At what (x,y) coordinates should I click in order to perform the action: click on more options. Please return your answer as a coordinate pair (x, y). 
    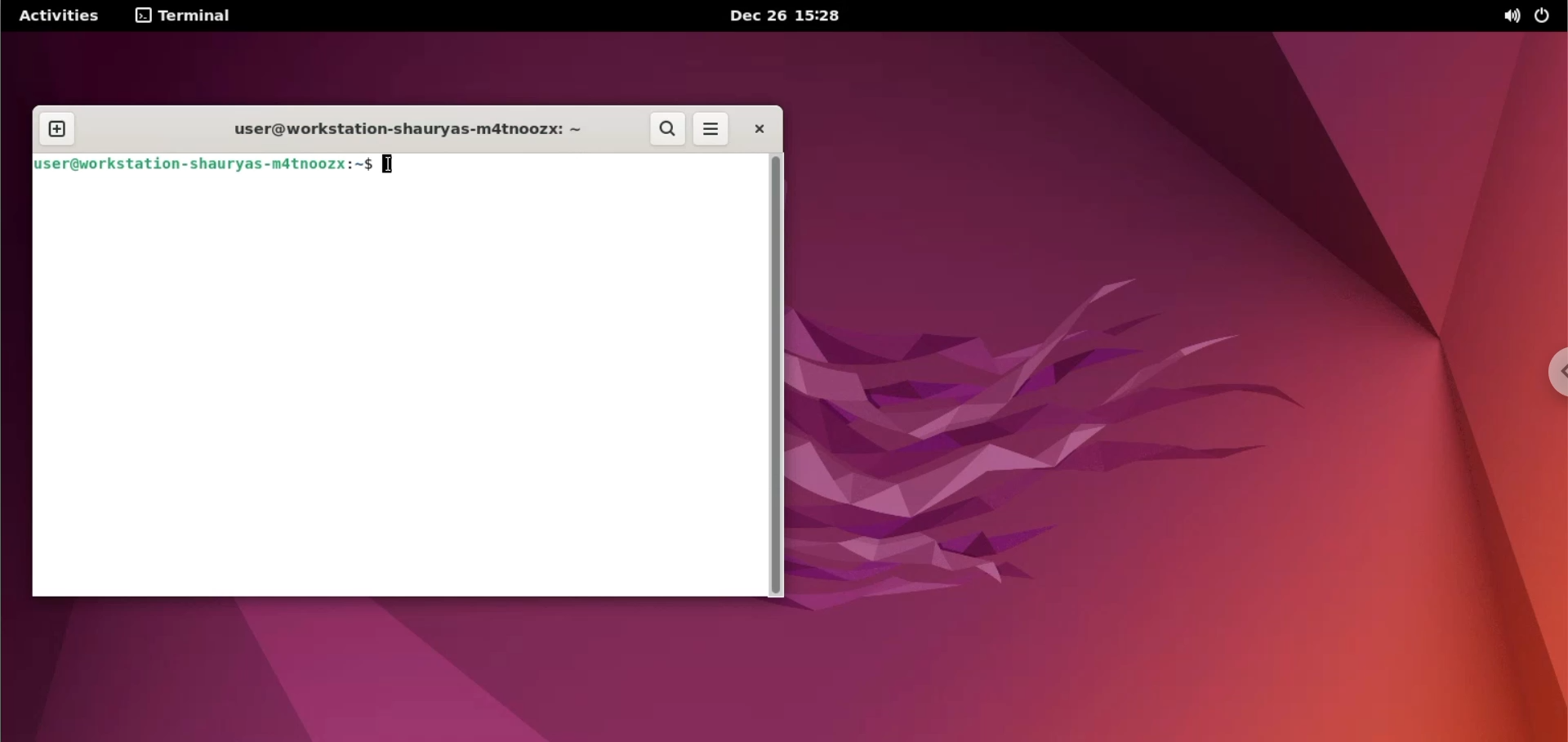
    Looking at the image, I should click on (711, 131).